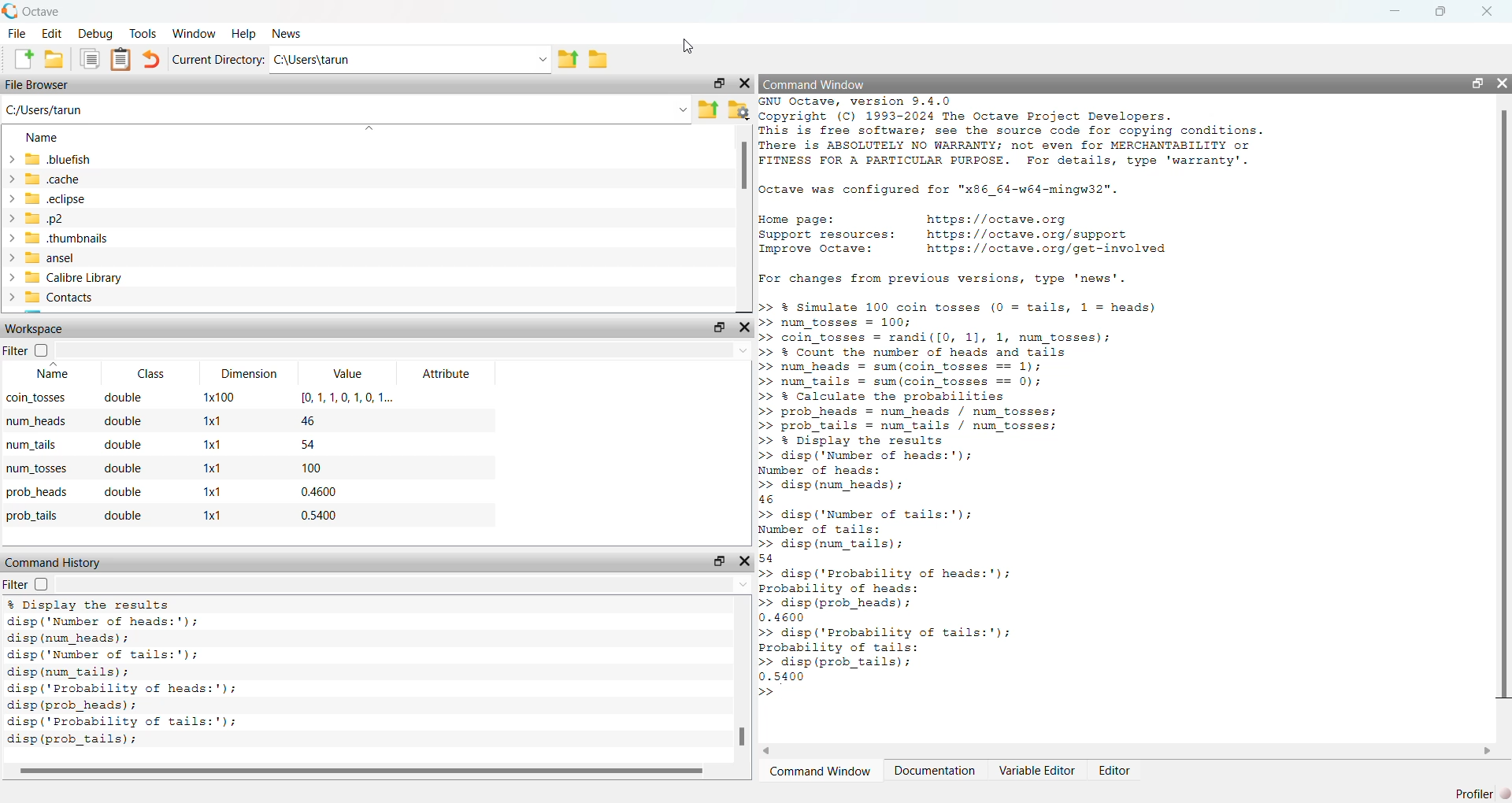 This screenshot has height=803, width=1512. What do you see at coordinates (717, 83) in the screenshot?
I see `maximize` at bounding box center [717, 83].